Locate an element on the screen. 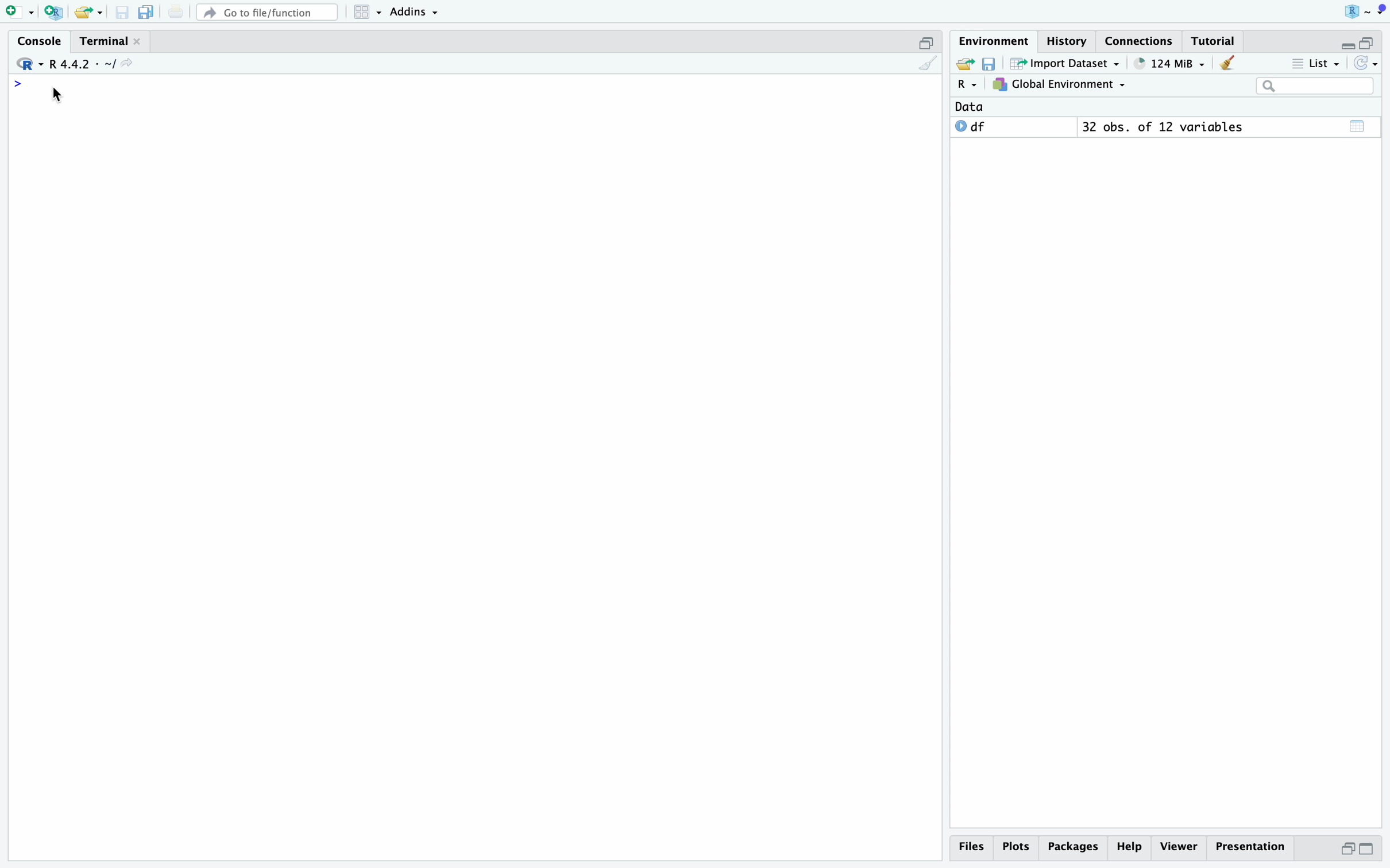 This screenshot has height=868, width=1390. go to file/function is located at coordinates (268, 13).